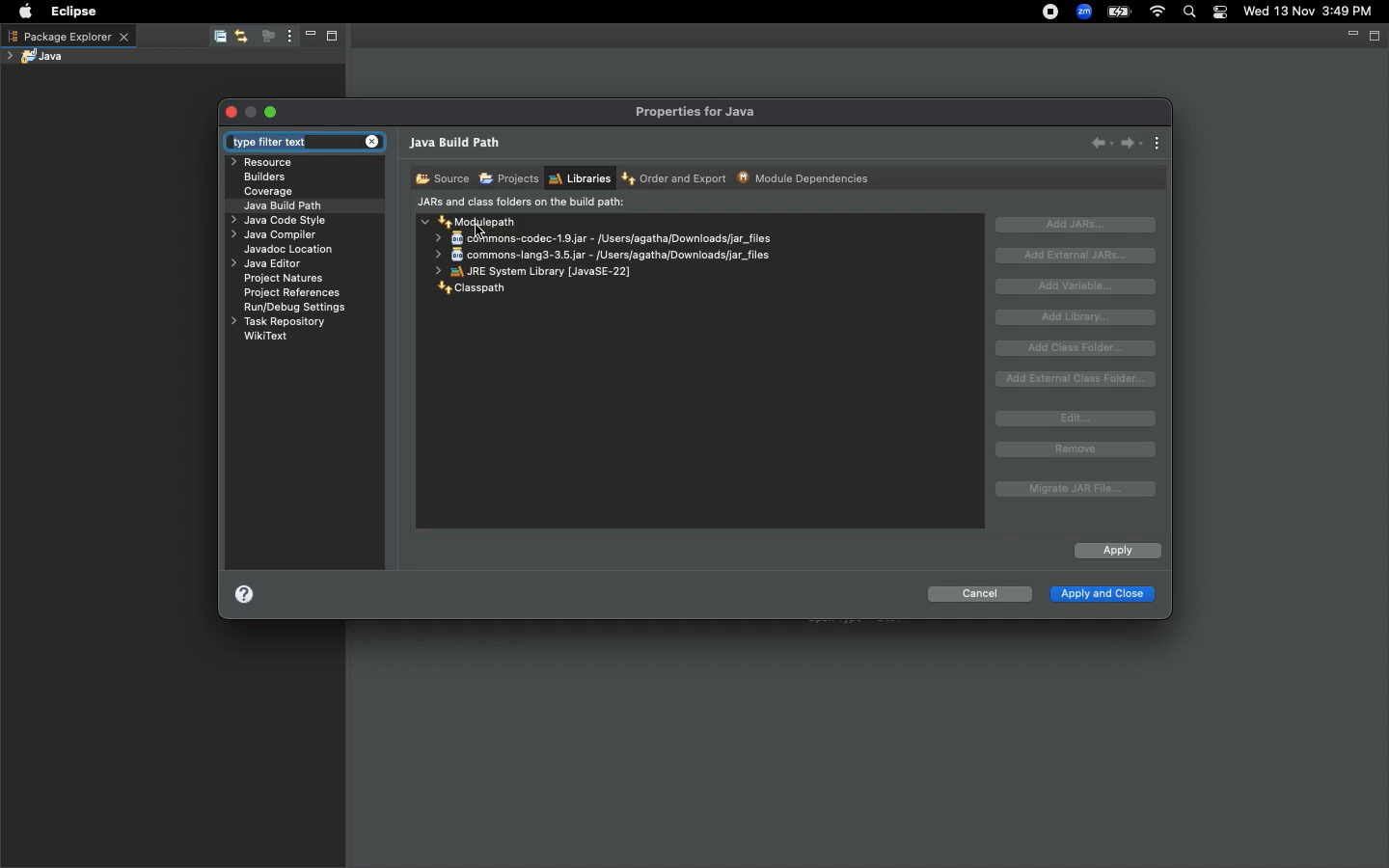 This screenshot has width=1389, height=868. I want to click on Java build path, so click(287, 204).